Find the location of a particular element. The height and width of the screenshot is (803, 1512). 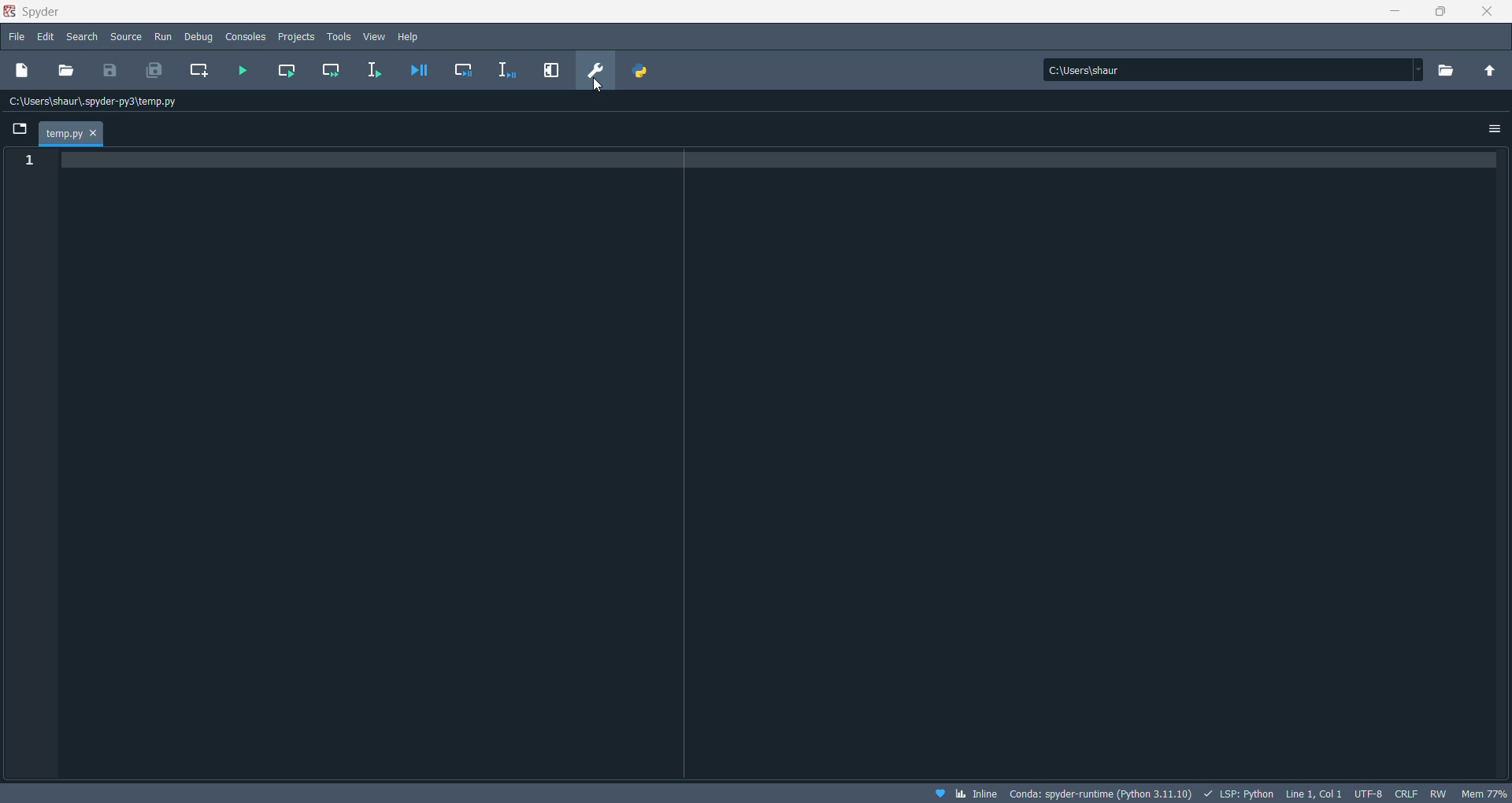

file permission is located at coordinates (1440, 792).